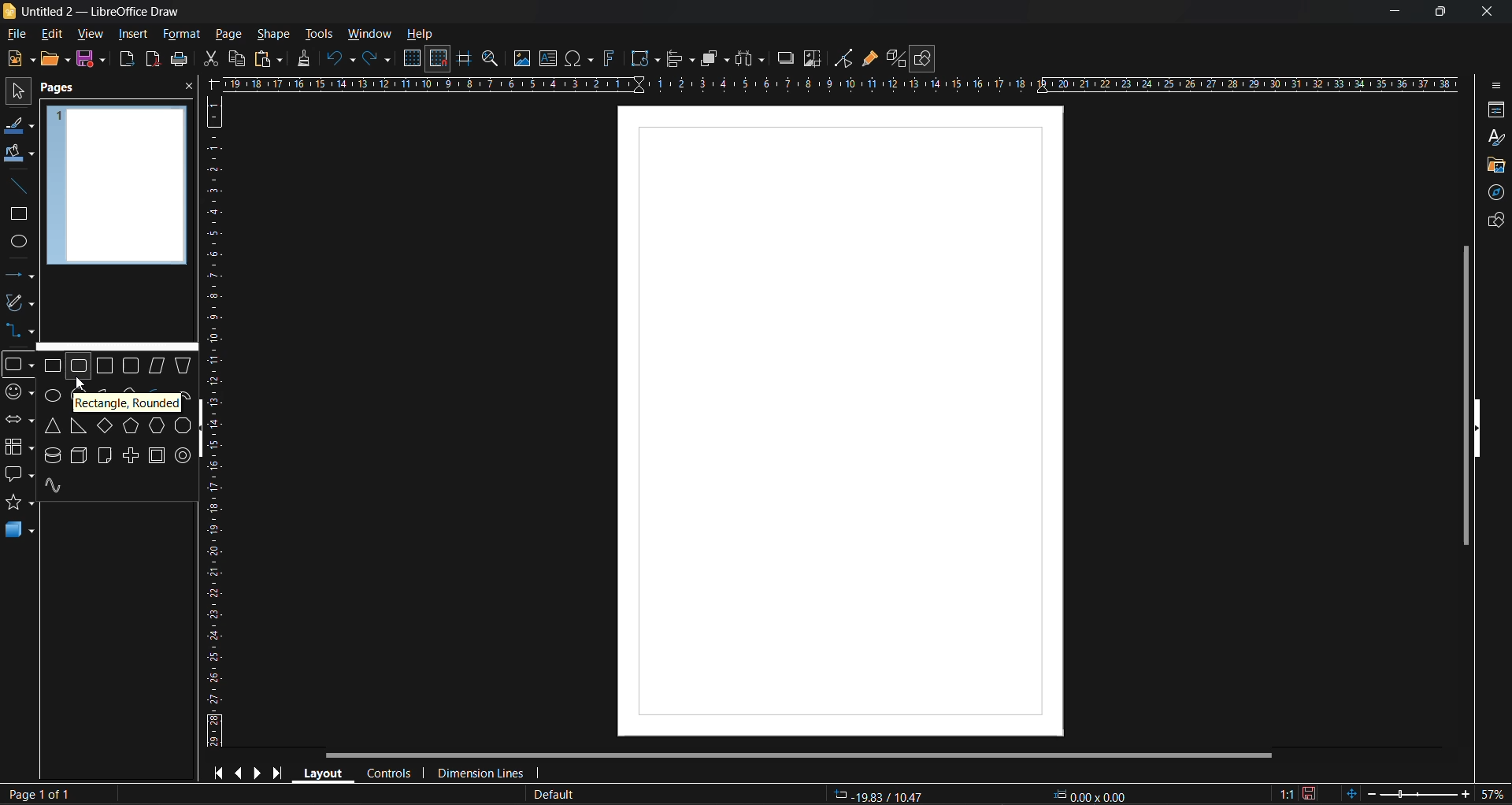  What do you see at coordinates (839, 84) in the screenshot?
I see `horizontal scale` at bounding box center [839, 84].